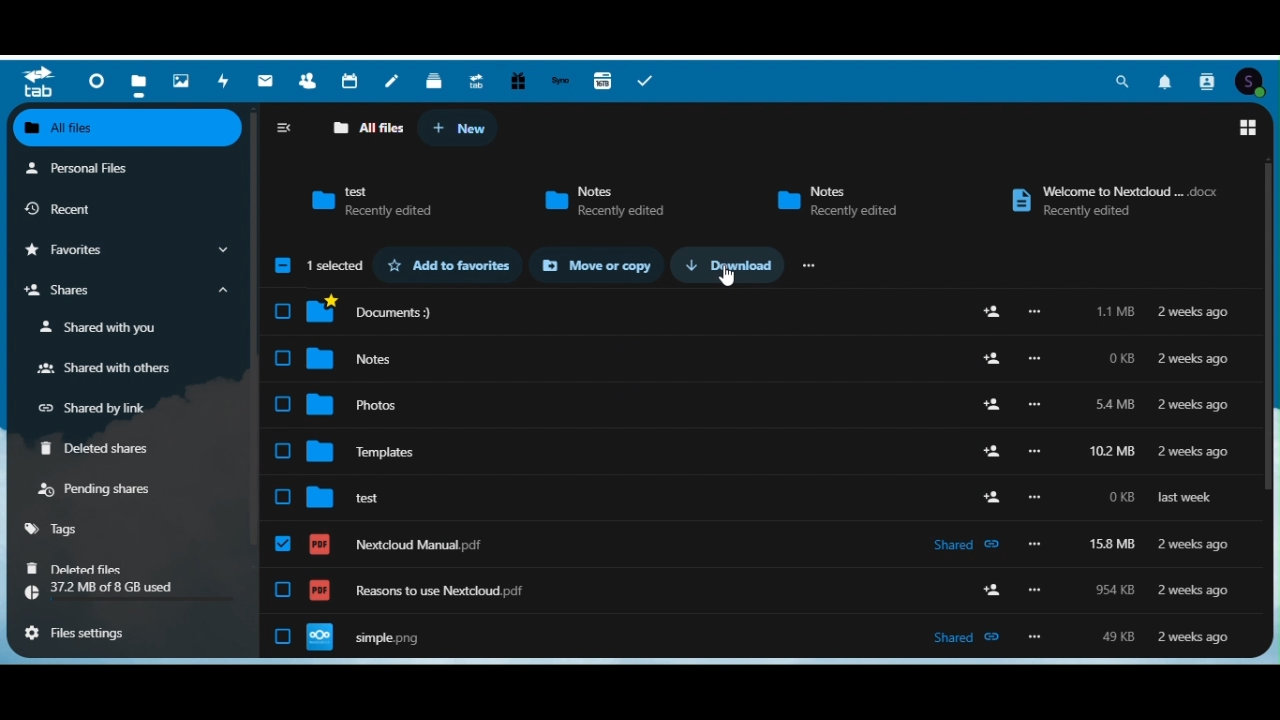 The image size is (1280, 720). Describe the element at coordinates (1167, 80) in the screenshot. I see `Notifications` at that location.